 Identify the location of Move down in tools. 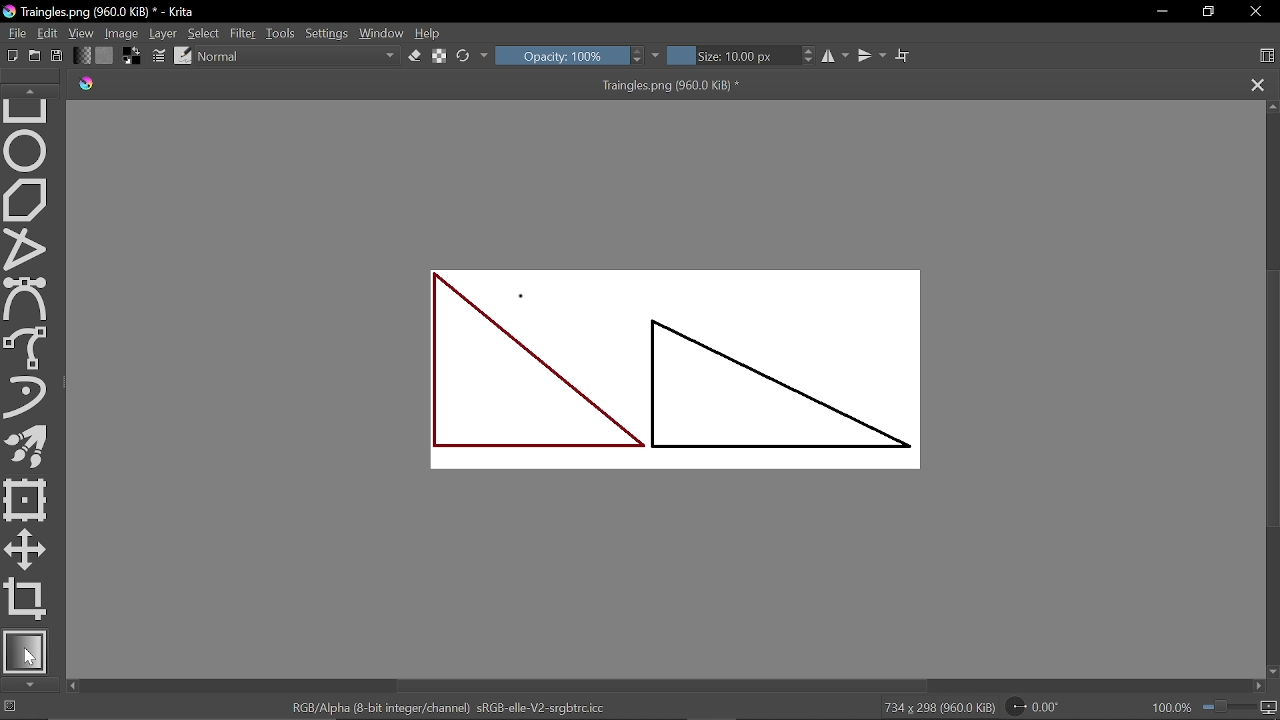
(32, 685).